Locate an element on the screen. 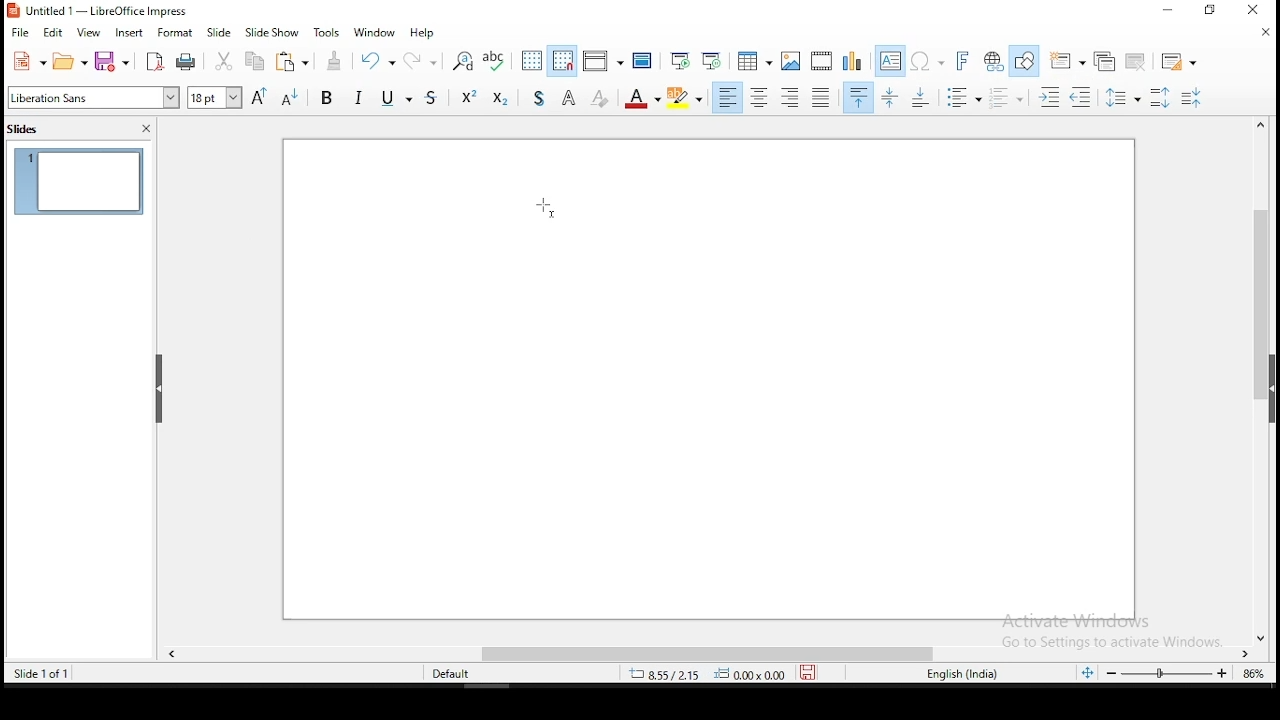 This screenshot has width=1280, height=720. increase font size is located at coordinates (259, 97).